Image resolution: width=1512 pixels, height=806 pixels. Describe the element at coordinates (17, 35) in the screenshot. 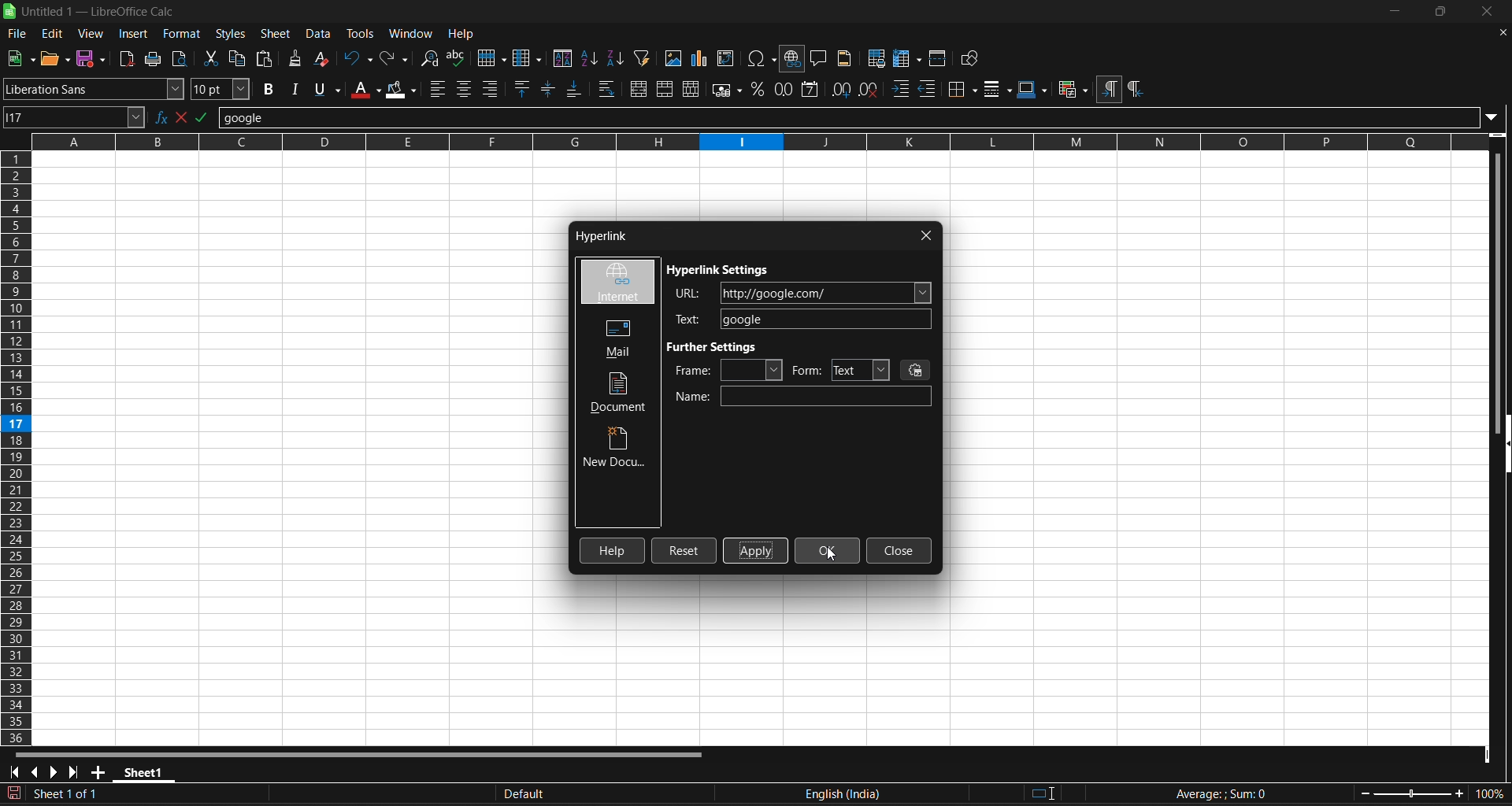

I see `file` at that location.